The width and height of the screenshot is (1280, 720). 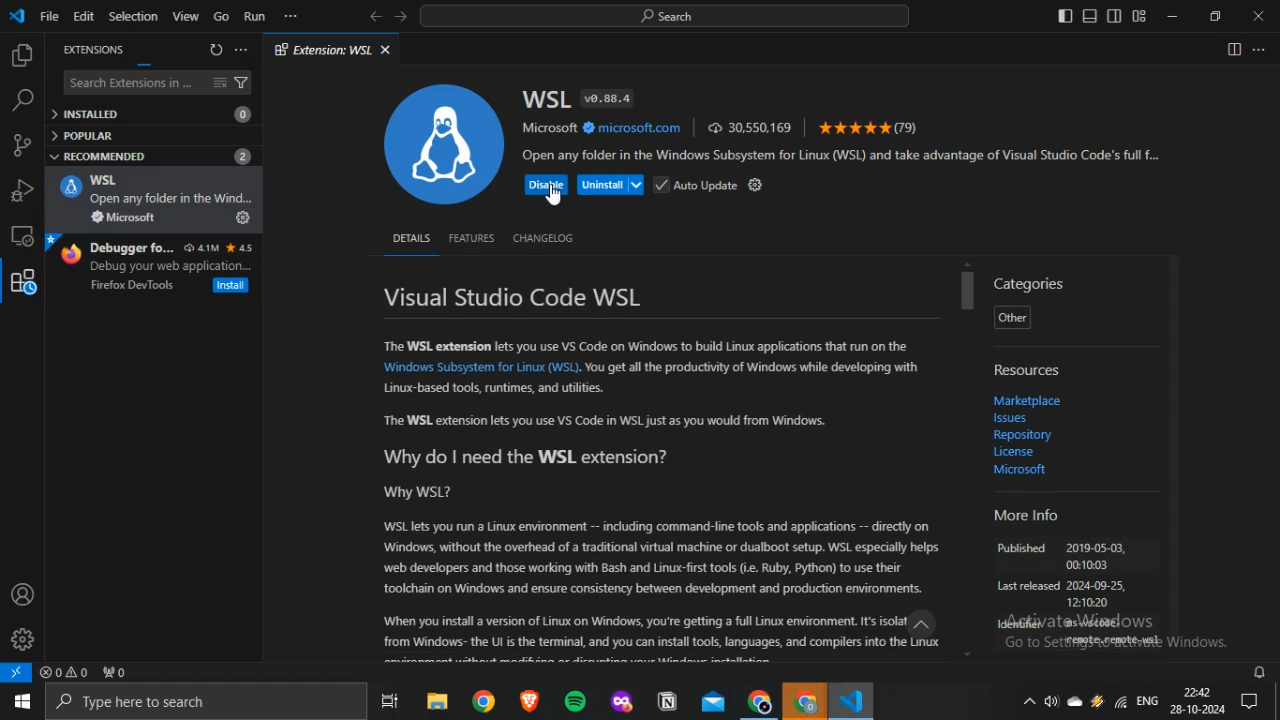 I want to click on back, so click(x=376, y=16).